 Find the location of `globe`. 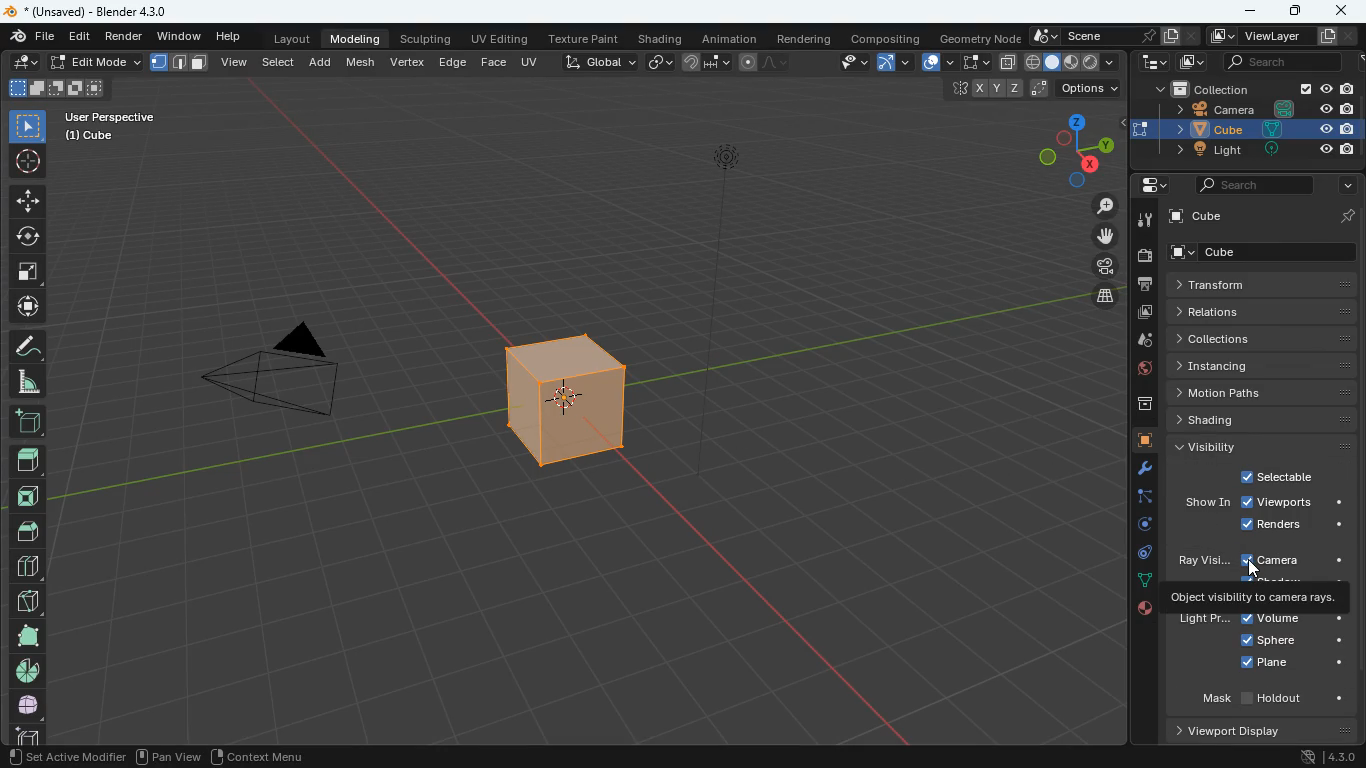

globe is located at coordinates (26, 707).